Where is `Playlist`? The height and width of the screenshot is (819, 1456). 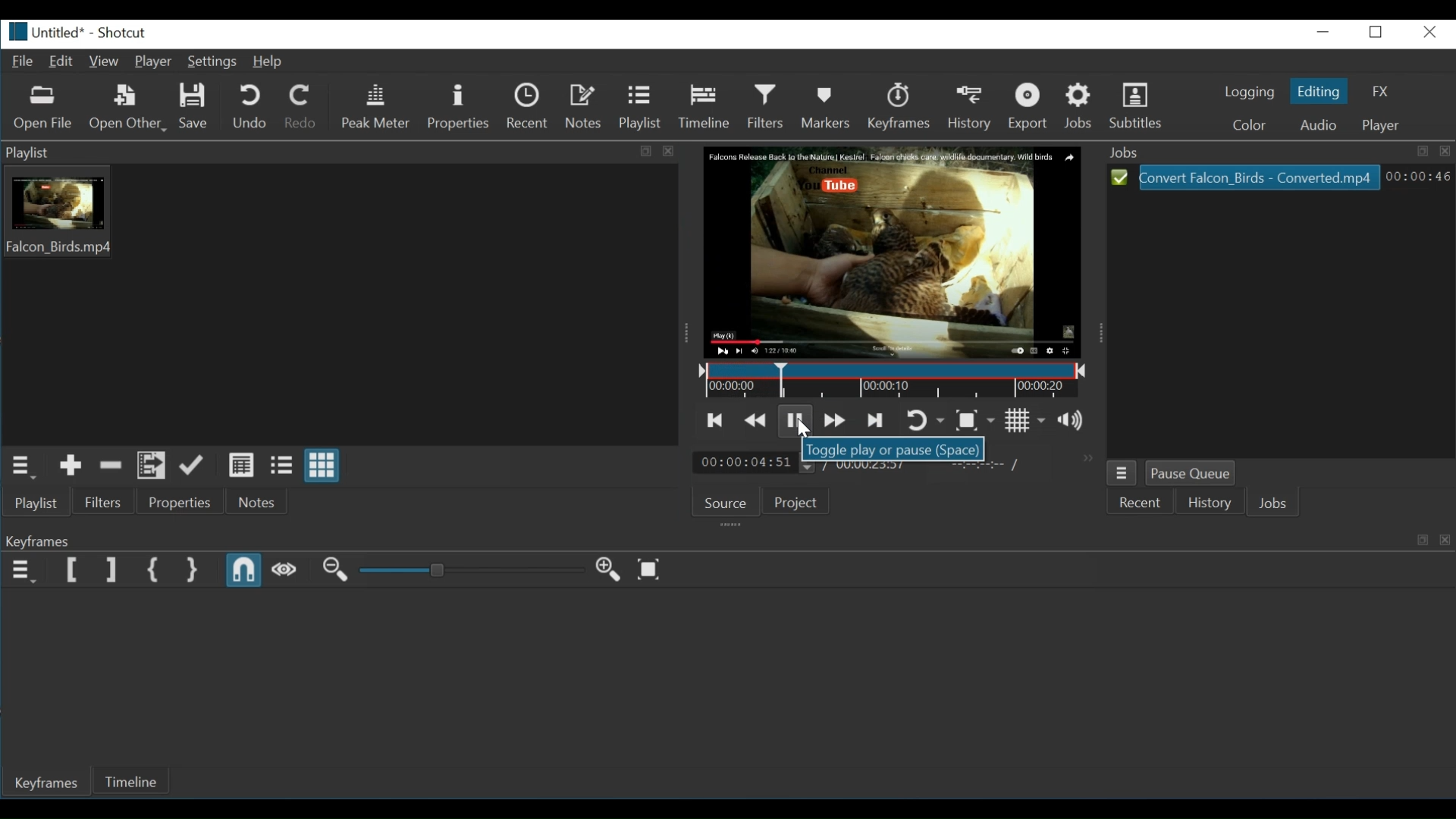
Playlist is located at coordinates (640, 106).